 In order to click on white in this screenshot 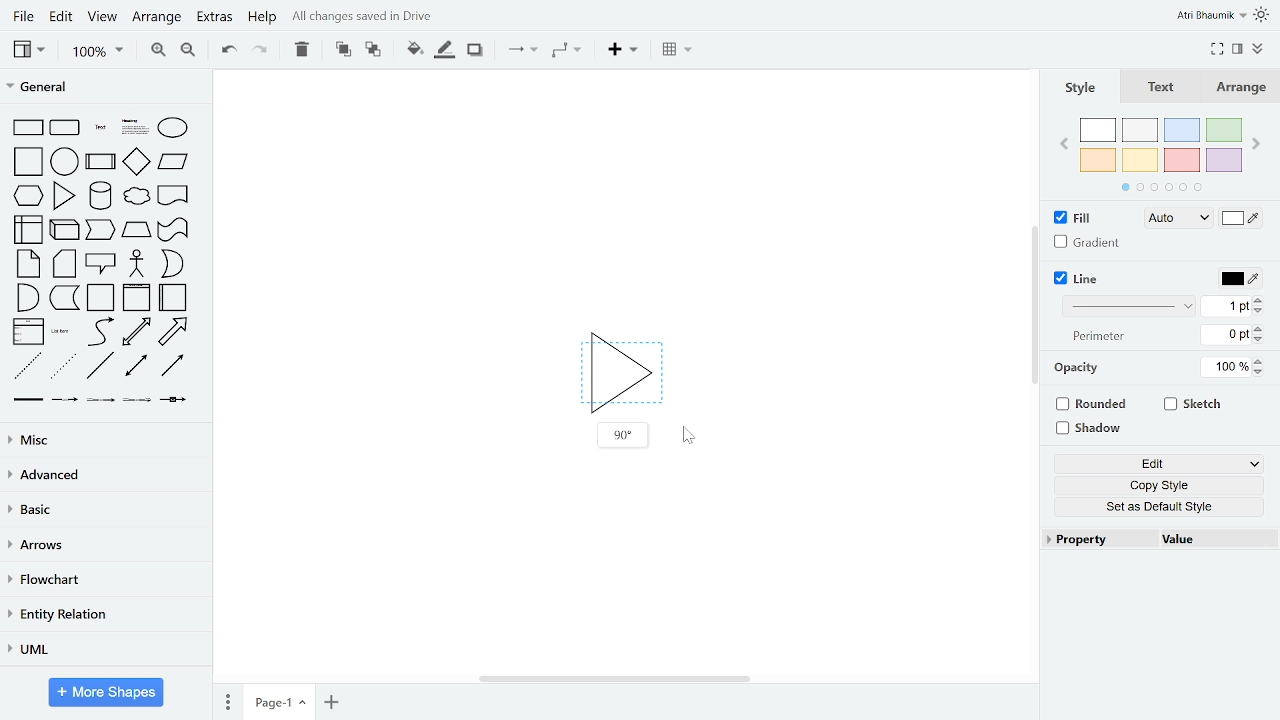, I will do `click(1099, 130)`.